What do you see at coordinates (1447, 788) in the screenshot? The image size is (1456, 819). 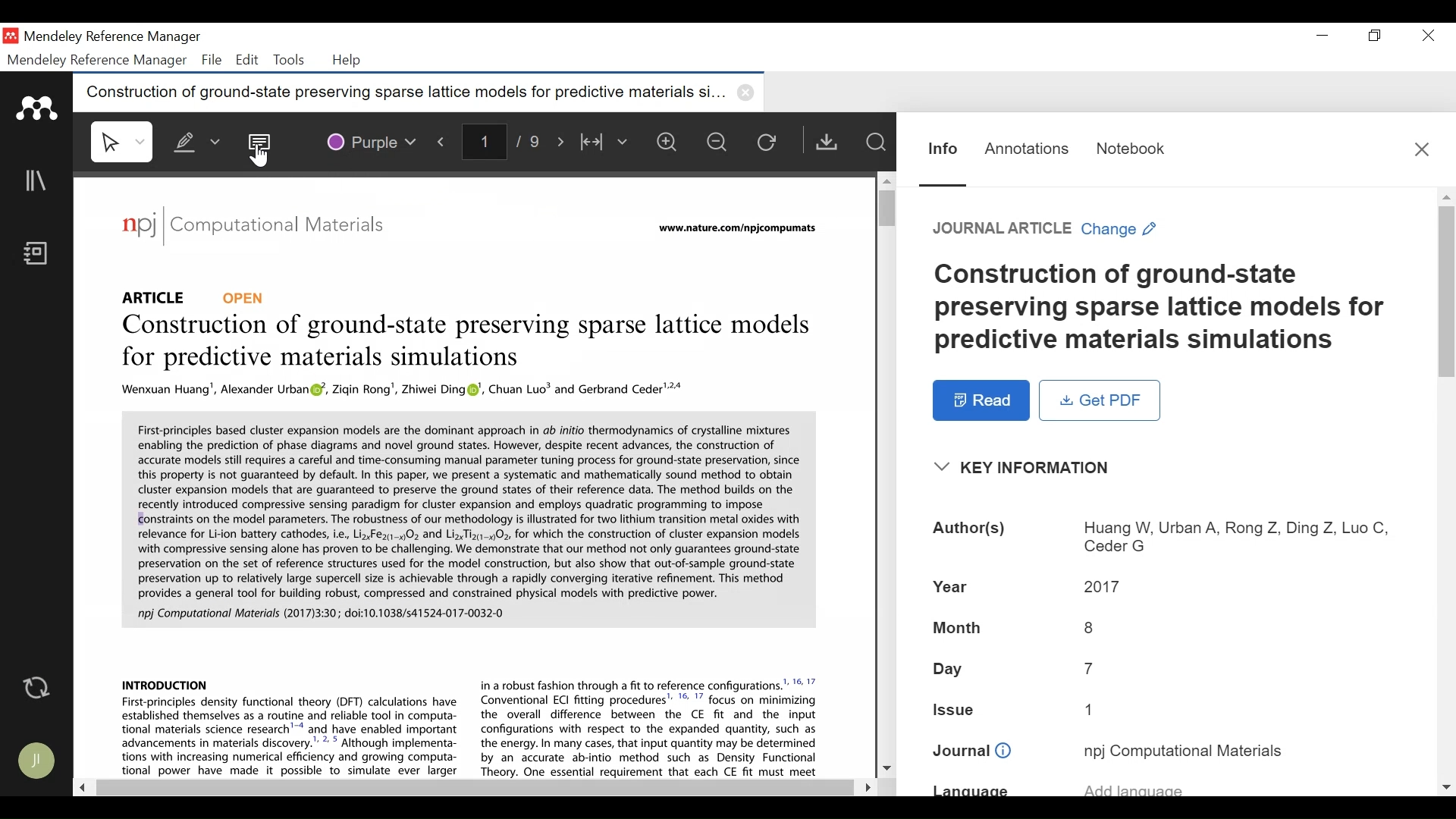 I see `Scroll down` at bounding box center [1447, 788].